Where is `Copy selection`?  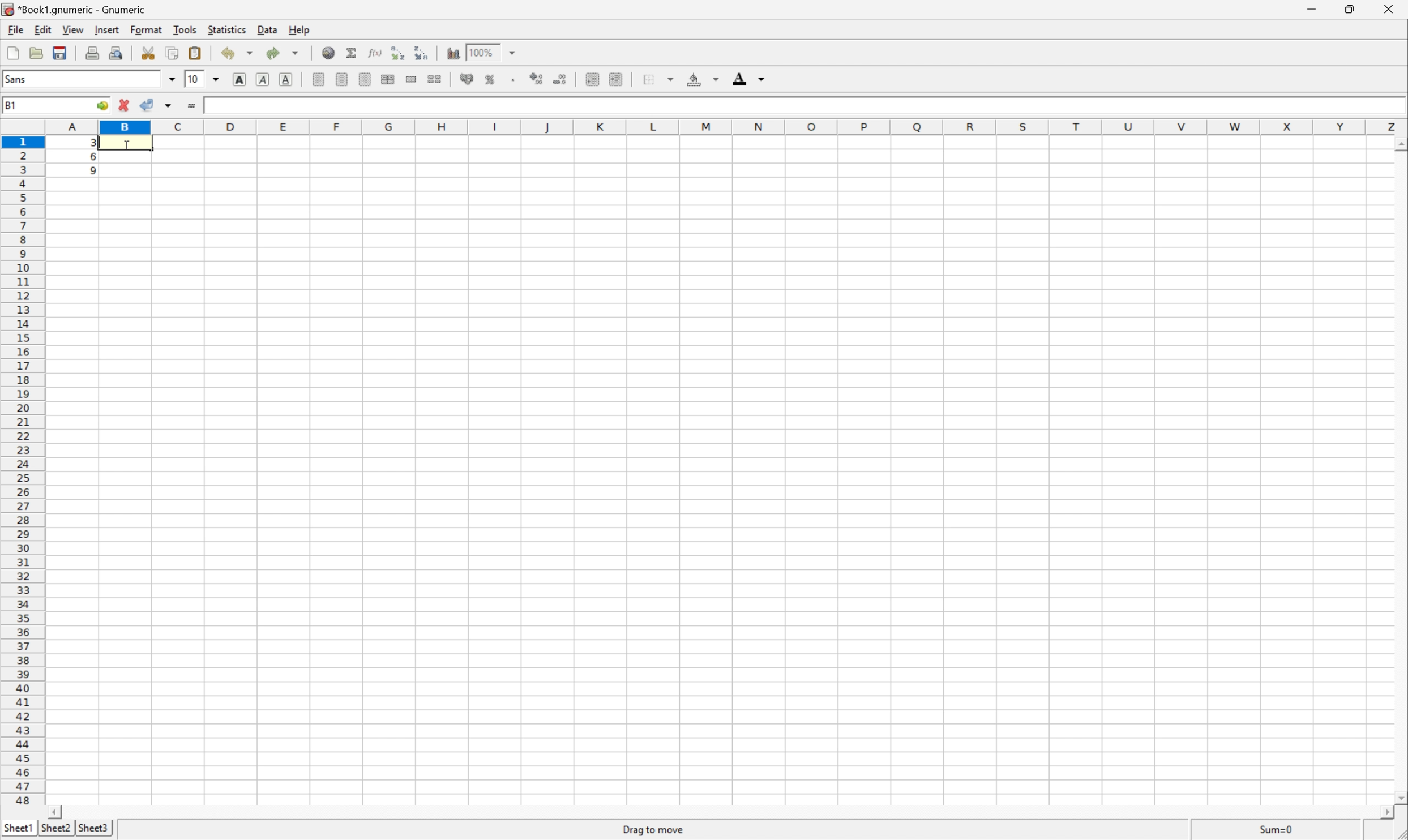
Copy selection is located at coordinates (173, 53).